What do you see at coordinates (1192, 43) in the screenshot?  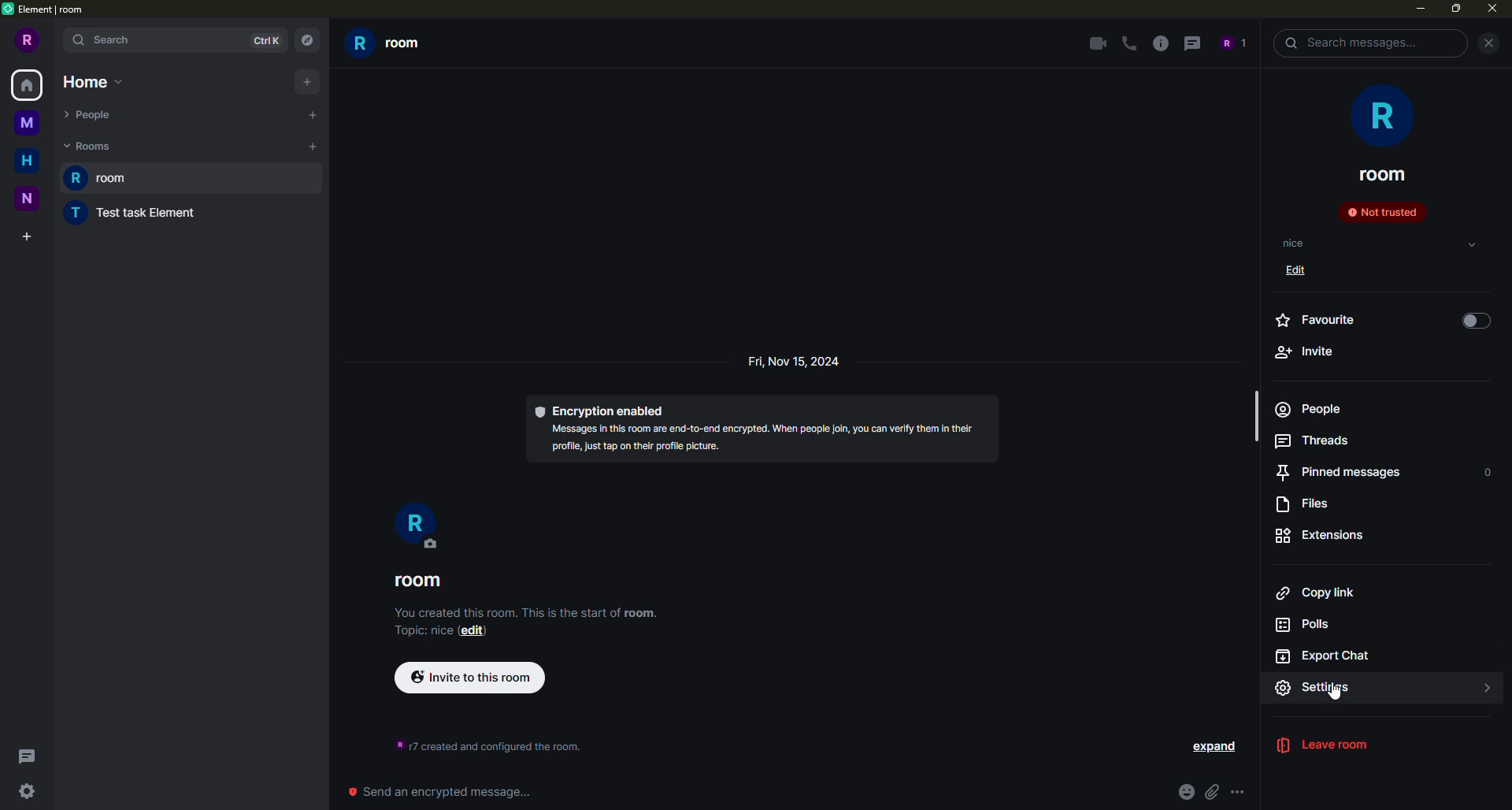 I see `thread` at bounding box center [1192, 43].